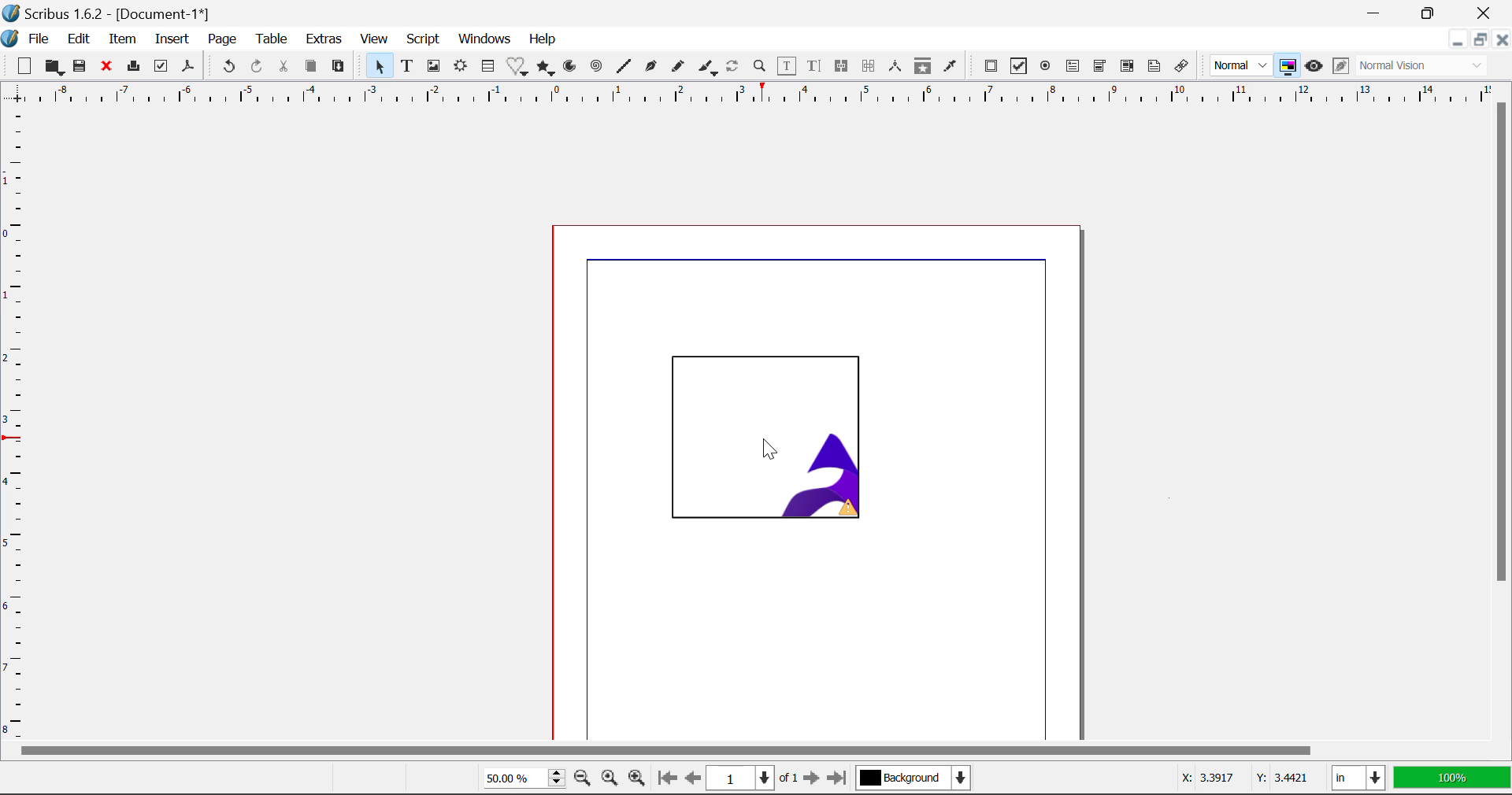 The width and height of the screenshot is (1512, 795). What do you see at coordinates (272, 42) in the screenshot?
I see `Table` at bounding box center [272, 42].